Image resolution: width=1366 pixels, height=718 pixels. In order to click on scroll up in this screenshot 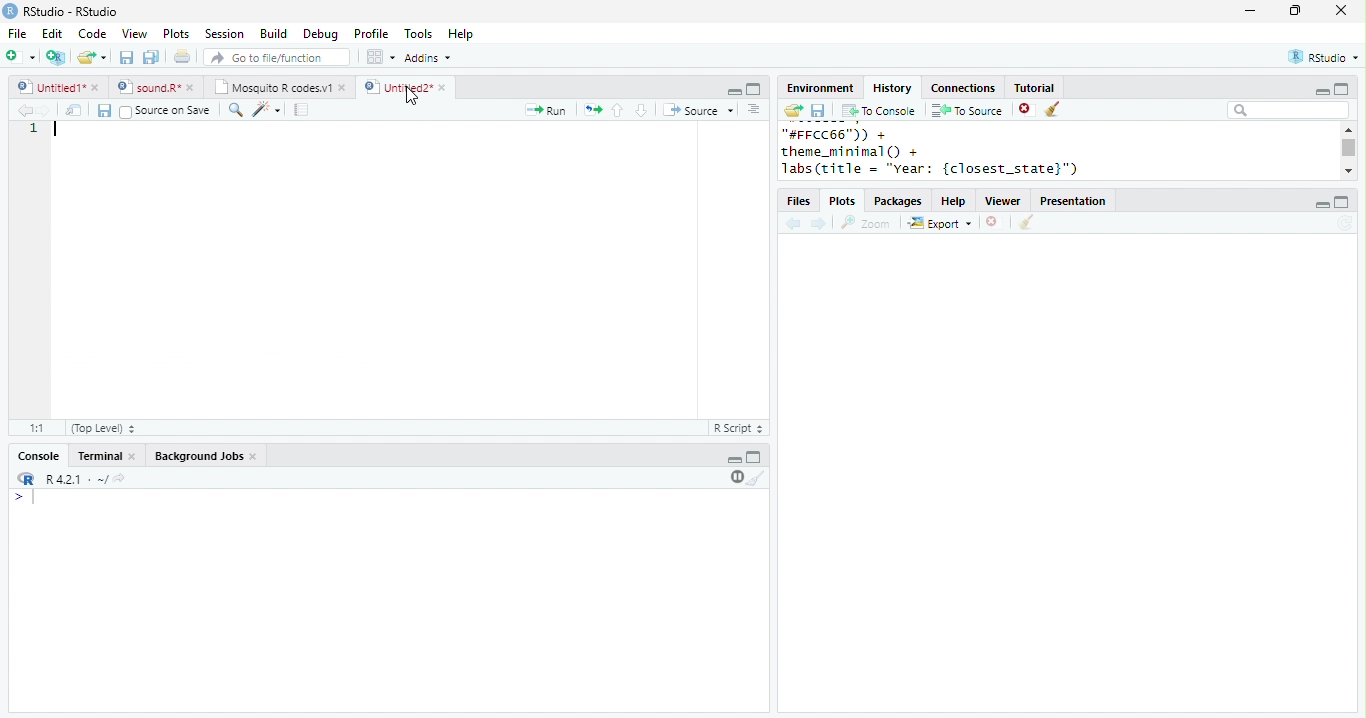, I will do `click(1347, 129)`.